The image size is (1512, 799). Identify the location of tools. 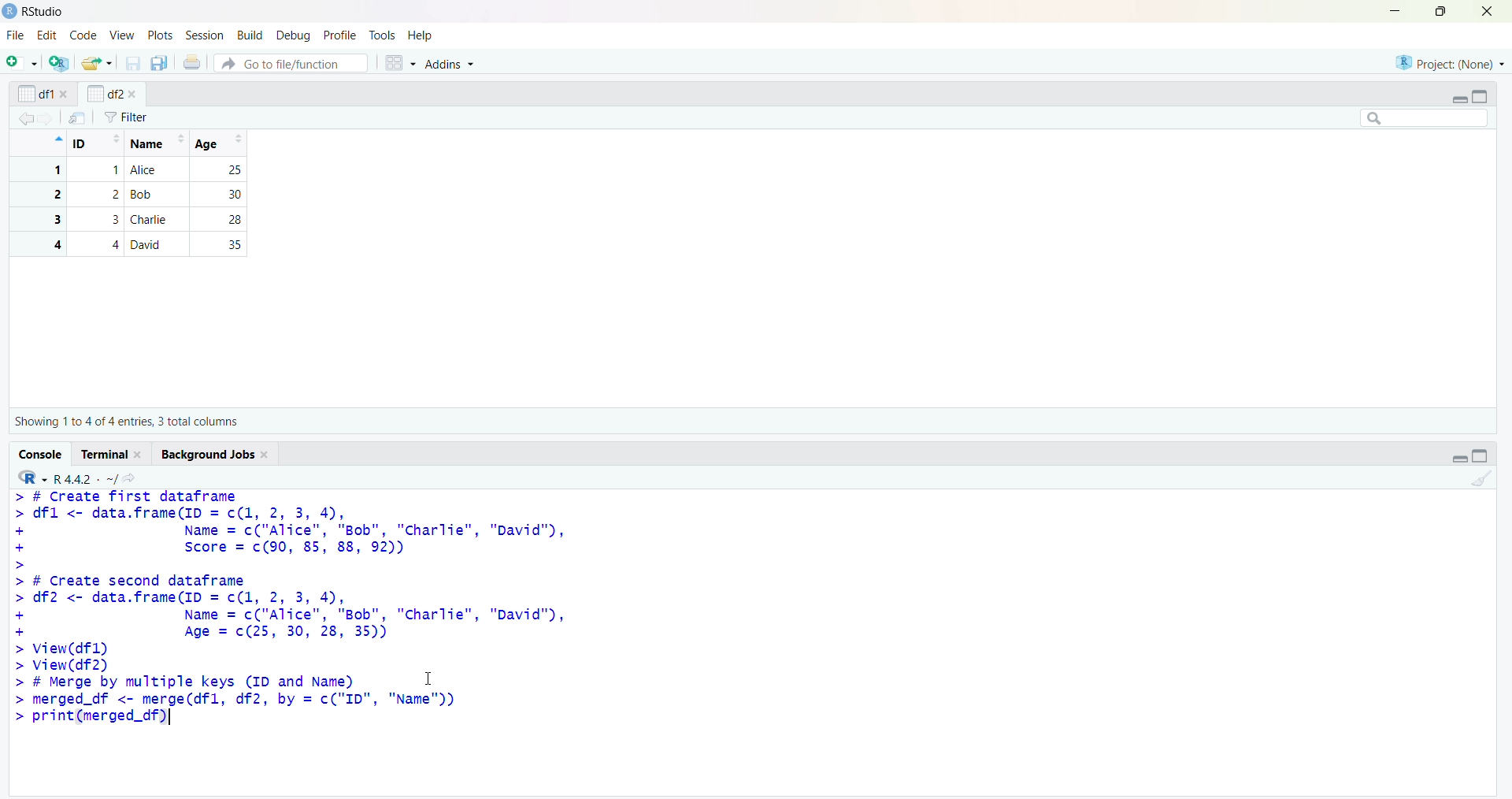
(383, 35).